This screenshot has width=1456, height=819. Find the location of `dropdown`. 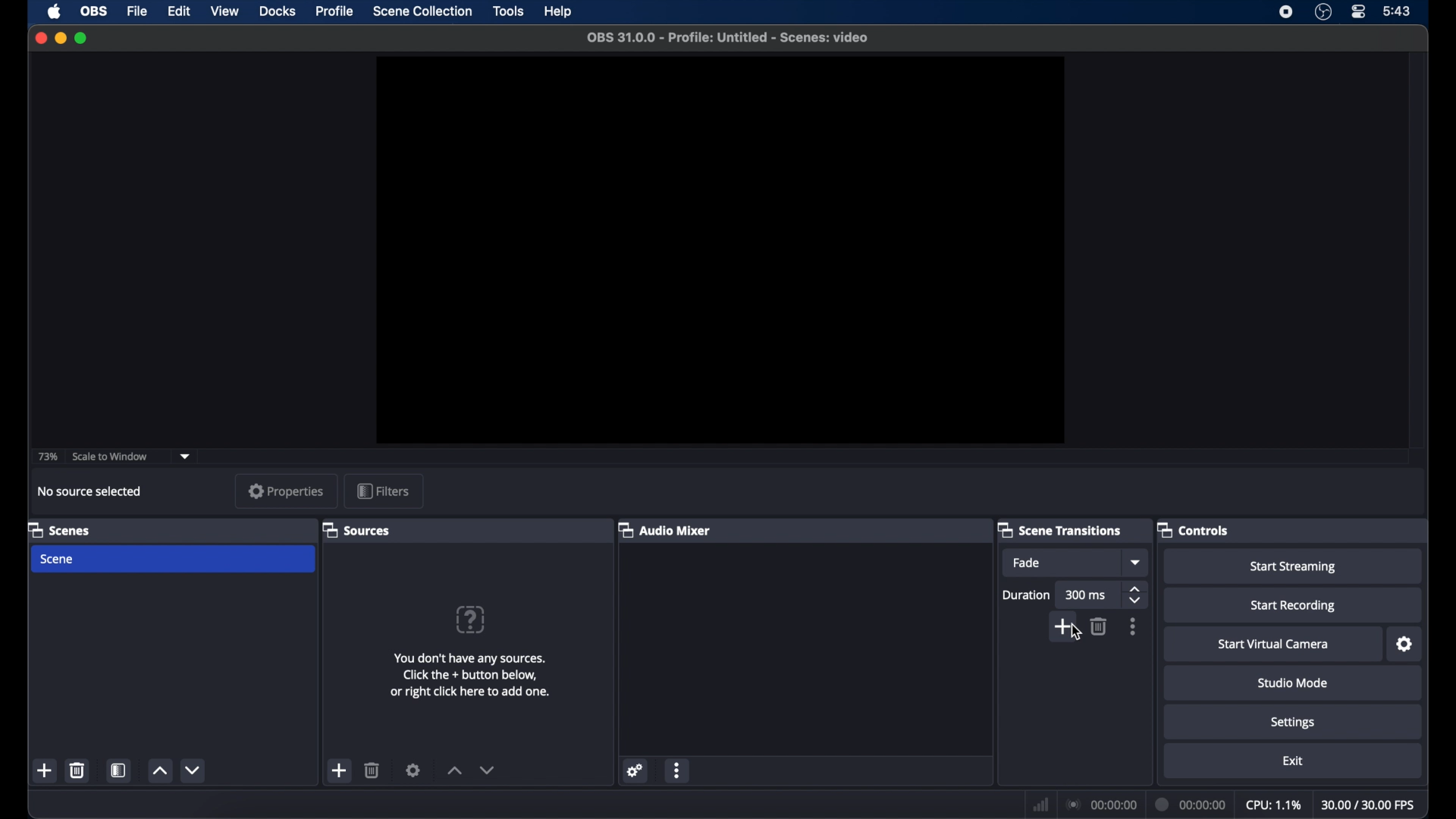

dropdown is located at coordinates (187, 455).